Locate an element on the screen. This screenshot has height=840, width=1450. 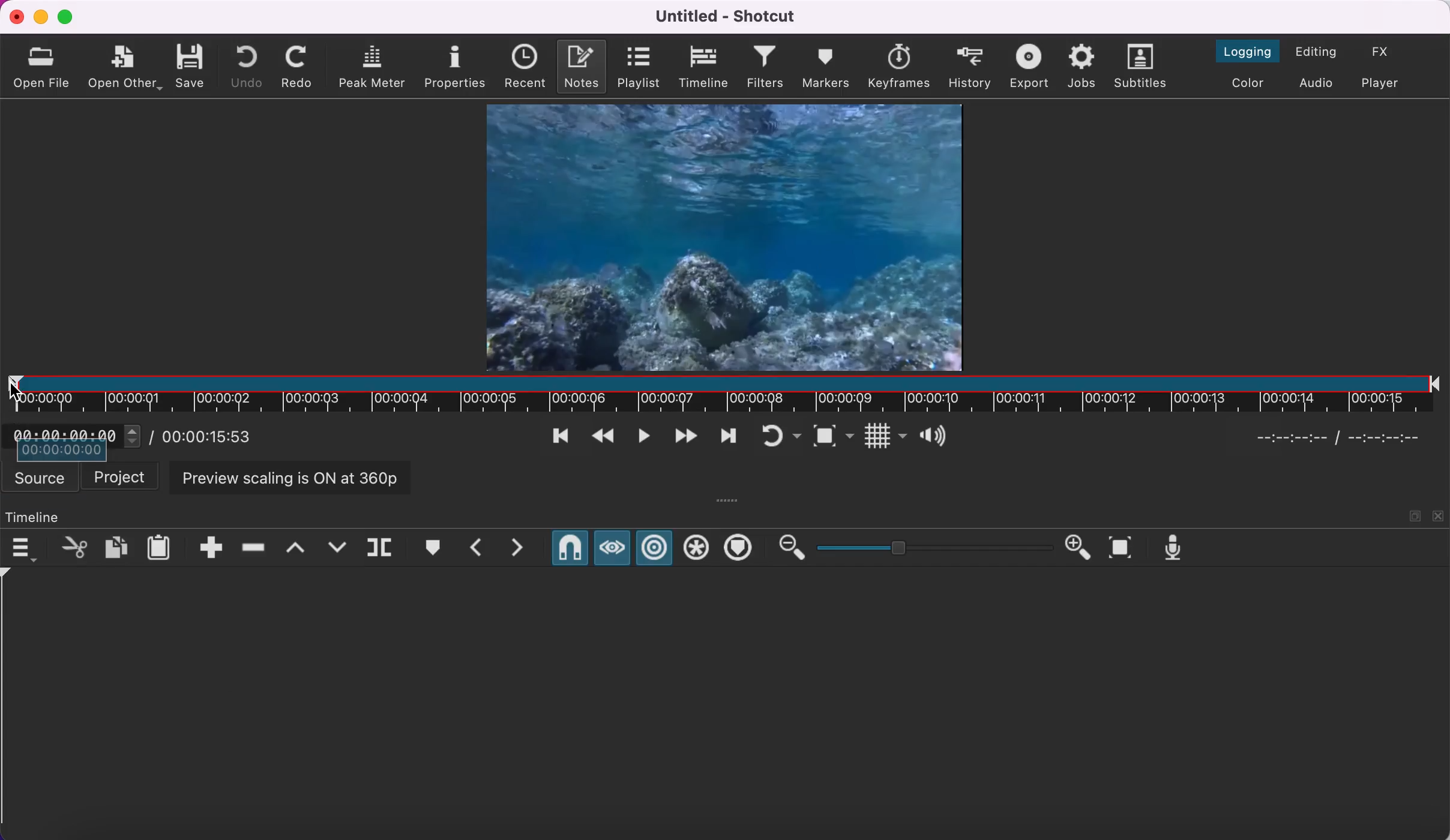
snap is located at coordinates (568, 548).